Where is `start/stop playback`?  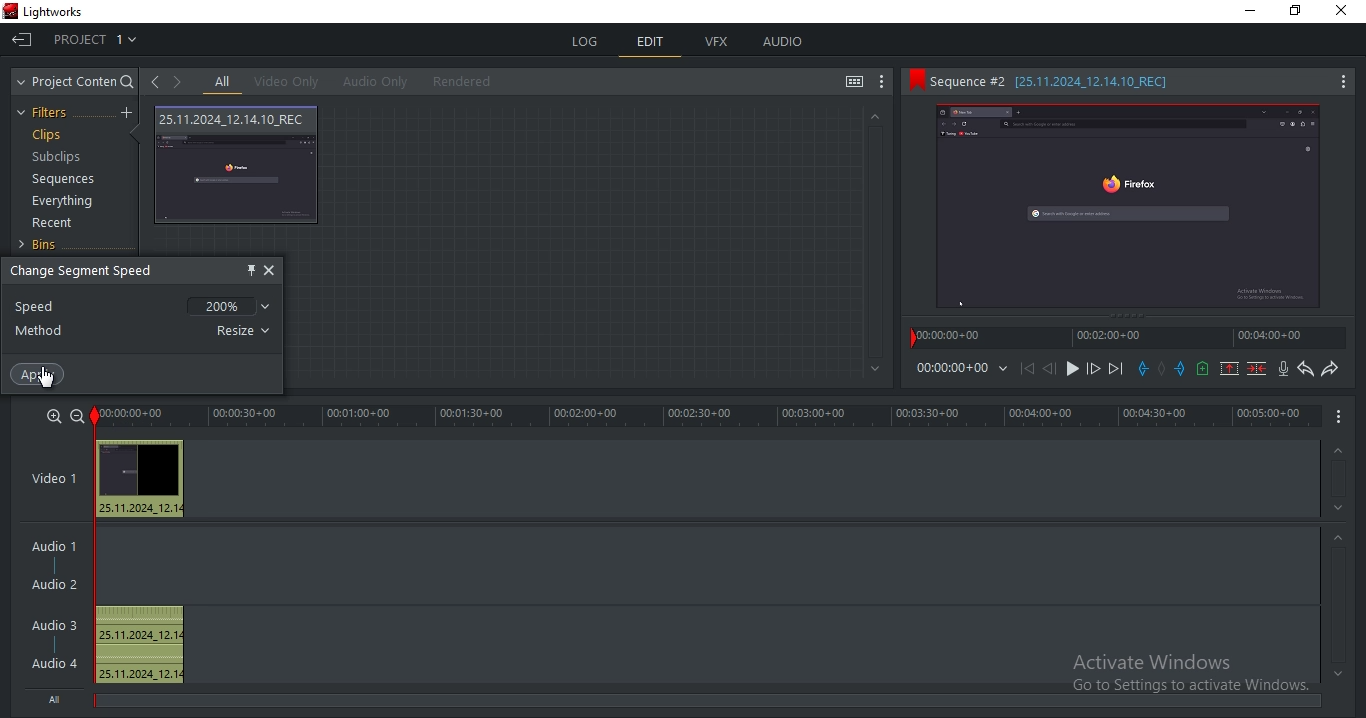
start/stop playback is located at coordinates (1073, 369).